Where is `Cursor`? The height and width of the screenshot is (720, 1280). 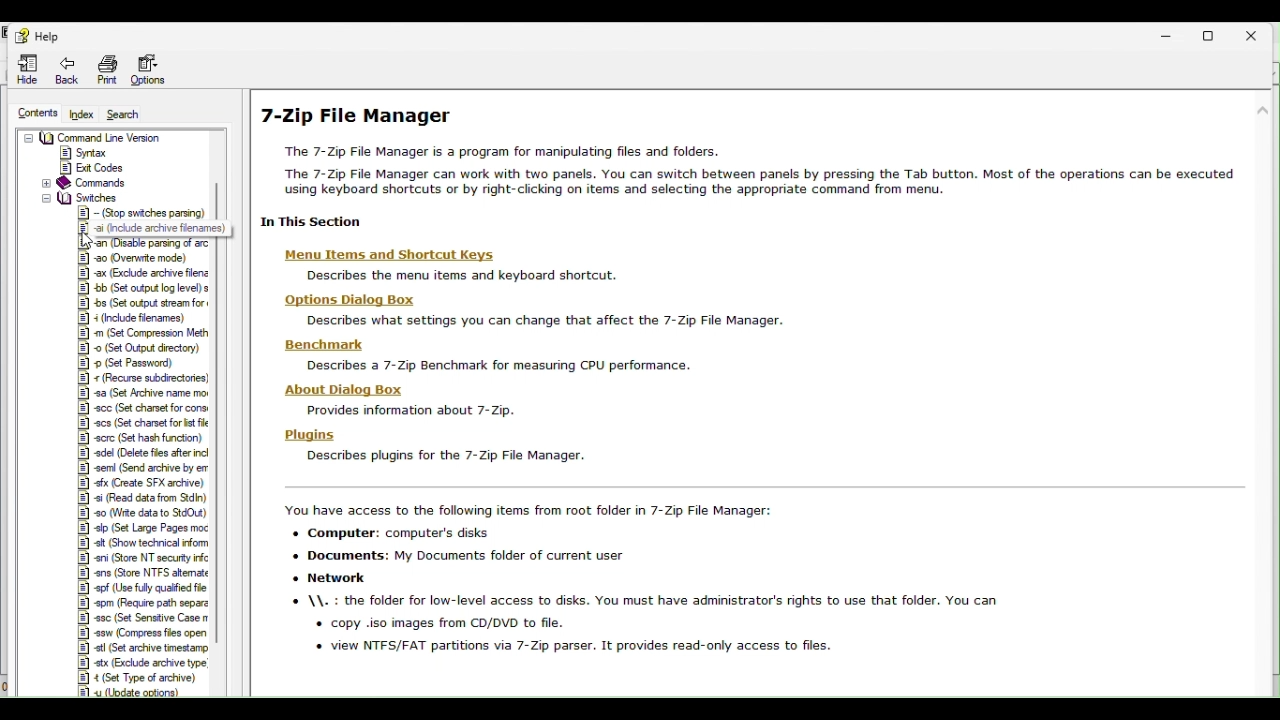
Cursor is located at coordinates (87, 243).